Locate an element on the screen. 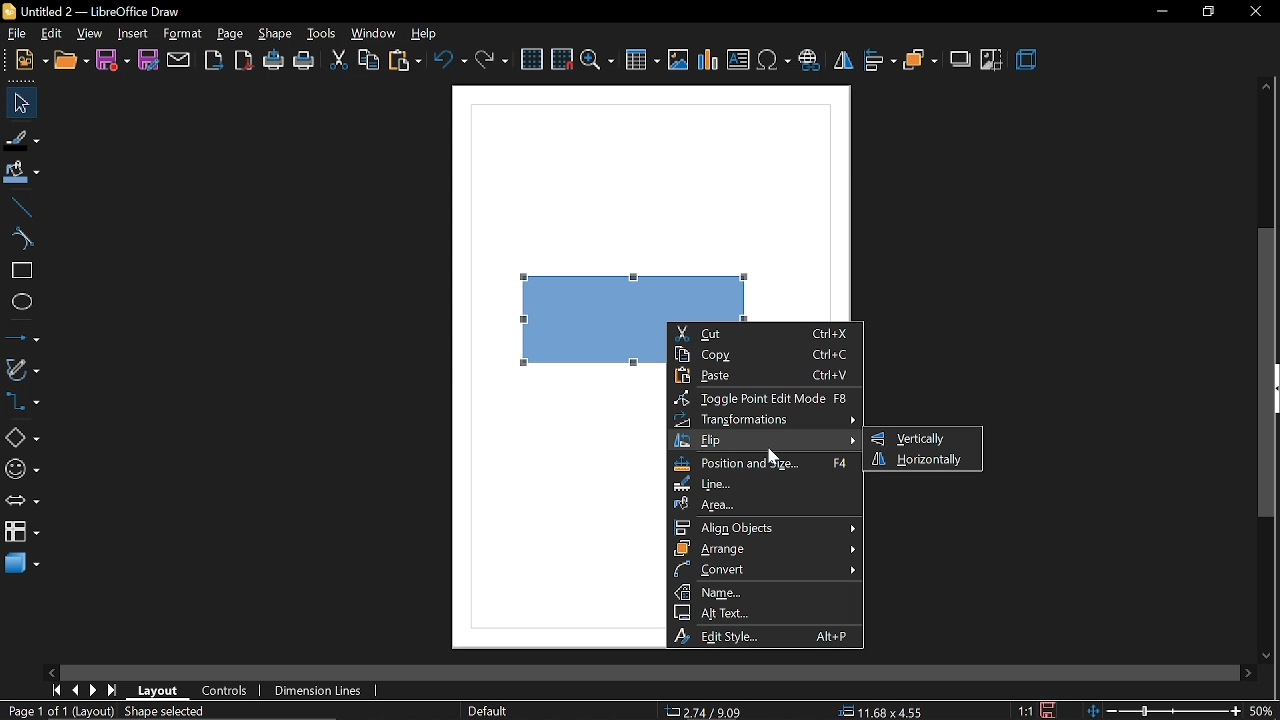 This screenshot has width=1280, height=720. align objects is located at coordinates (766, 527).